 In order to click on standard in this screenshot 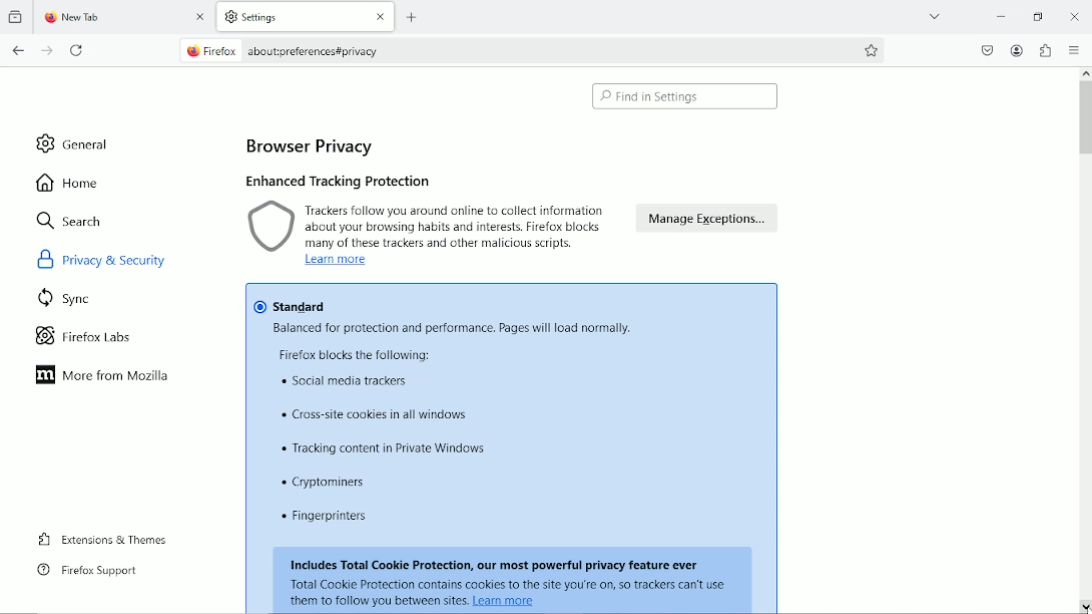, I will do `click(315, 308)`.